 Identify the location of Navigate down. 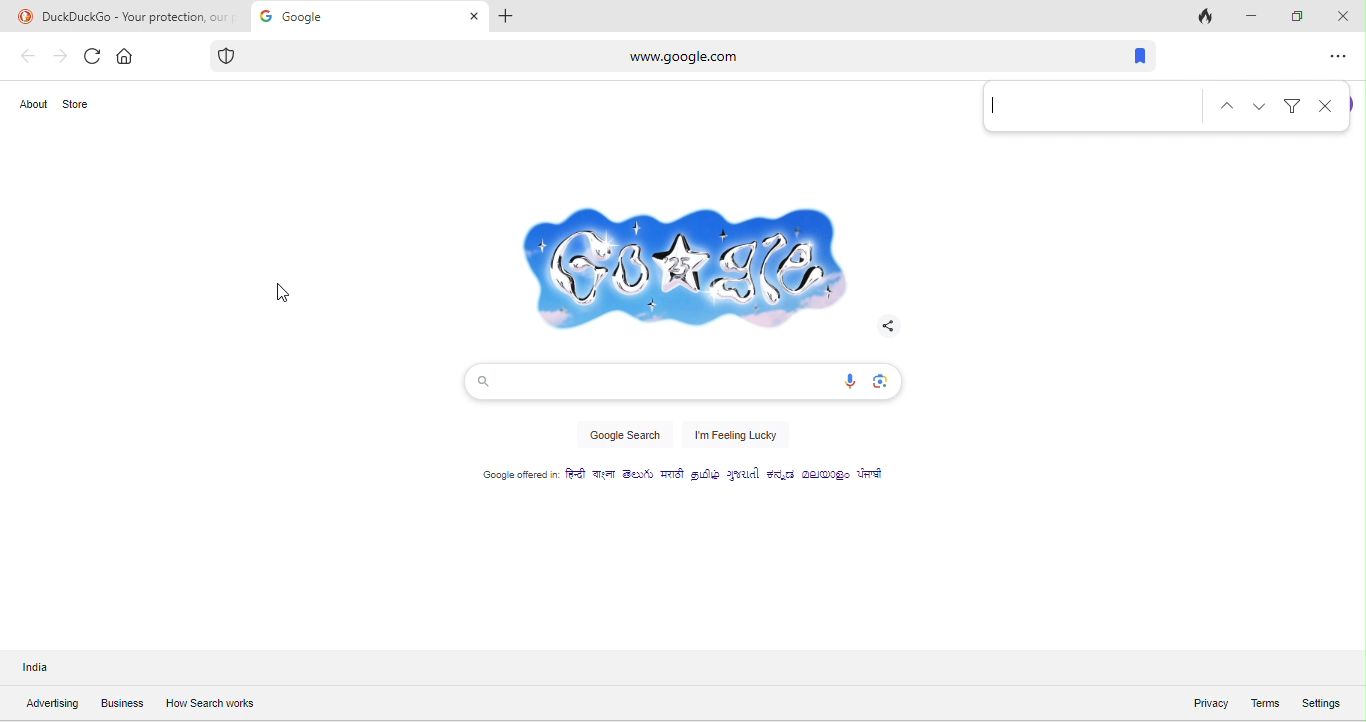
(1261, 105).